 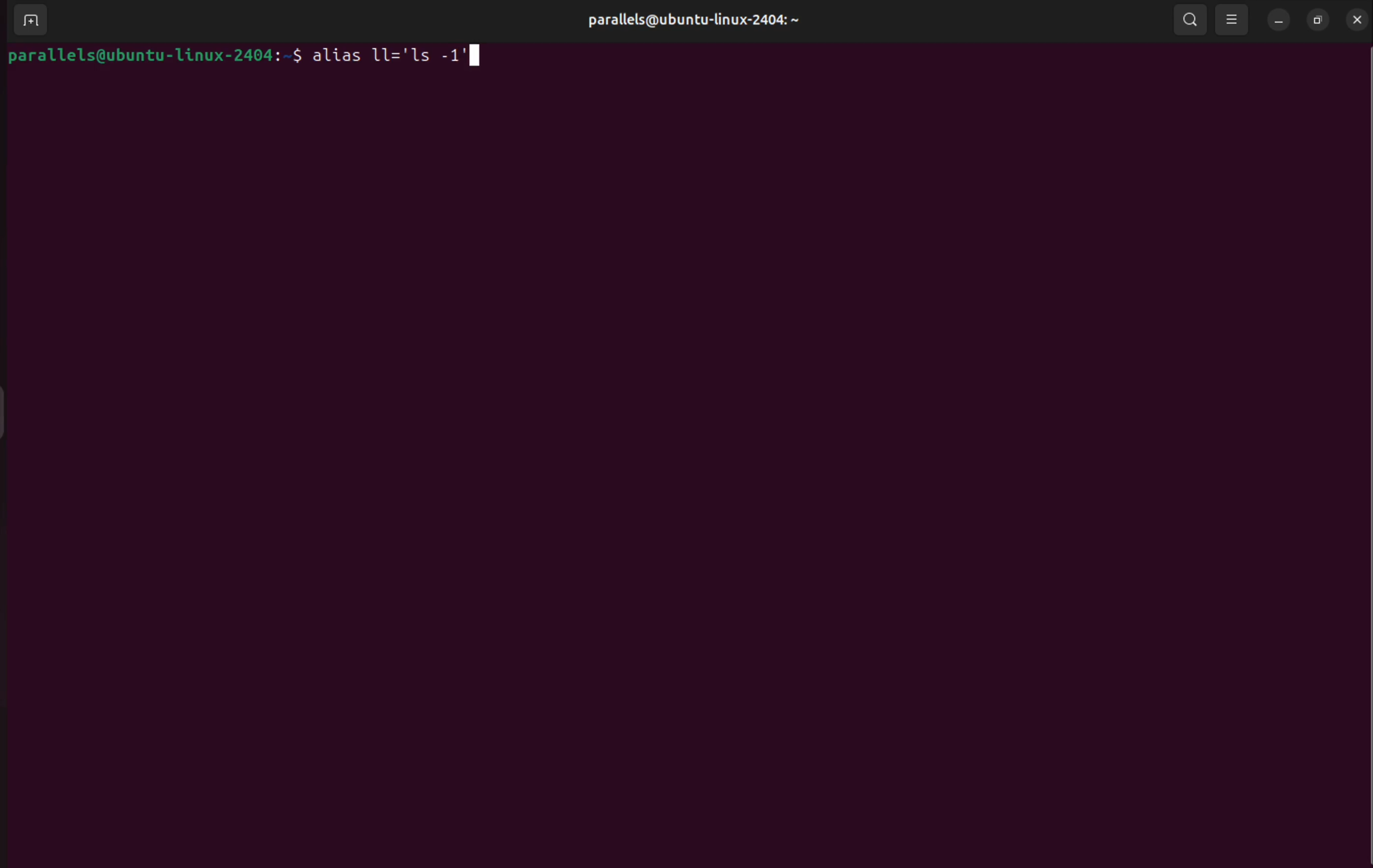 I want to click on search , so click(x=1191, y=19).